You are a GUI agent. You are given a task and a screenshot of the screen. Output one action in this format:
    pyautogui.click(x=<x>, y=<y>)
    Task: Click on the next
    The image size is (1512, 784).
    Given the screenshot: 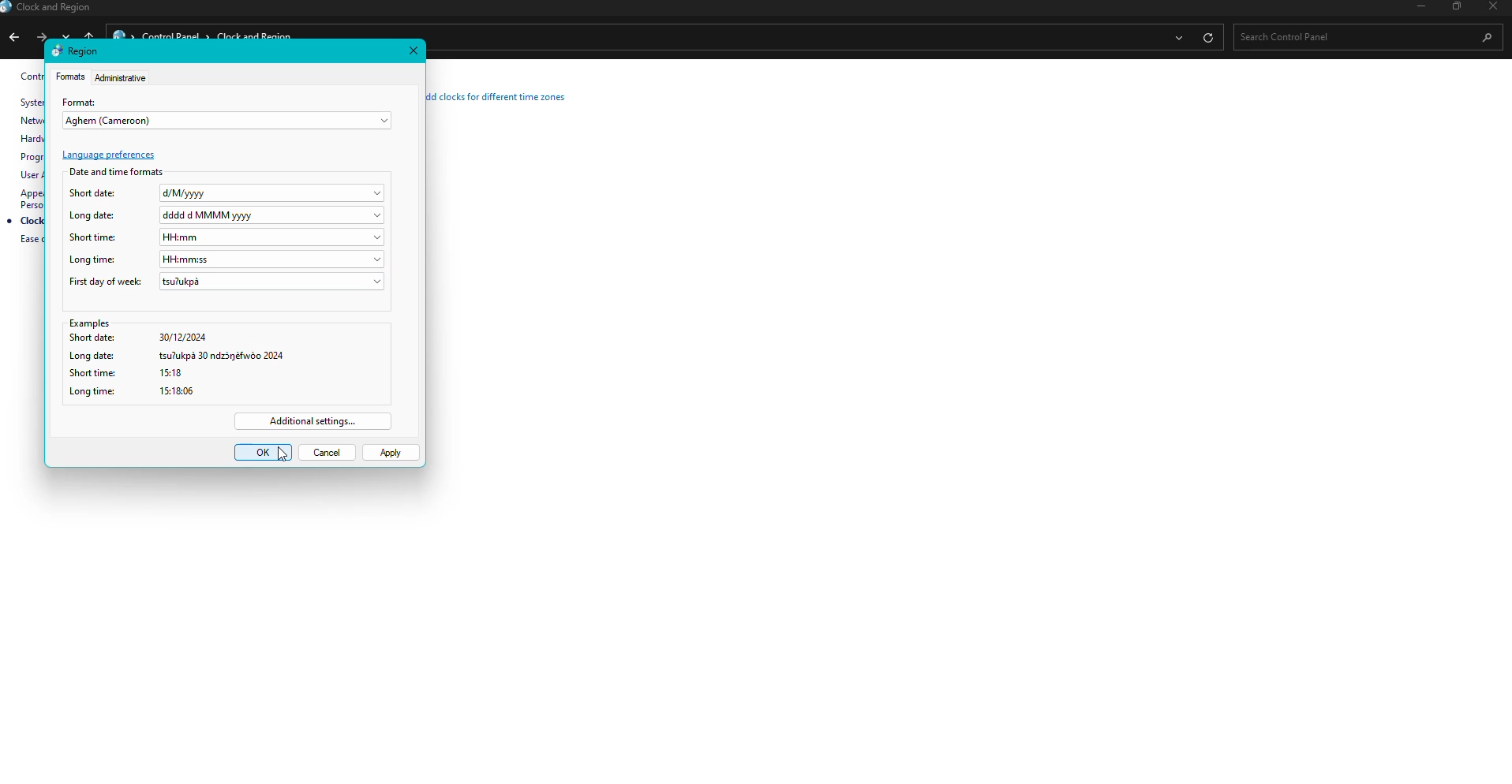 What is the action you would take?
    pyautogui.click(x=40, y=35)
    